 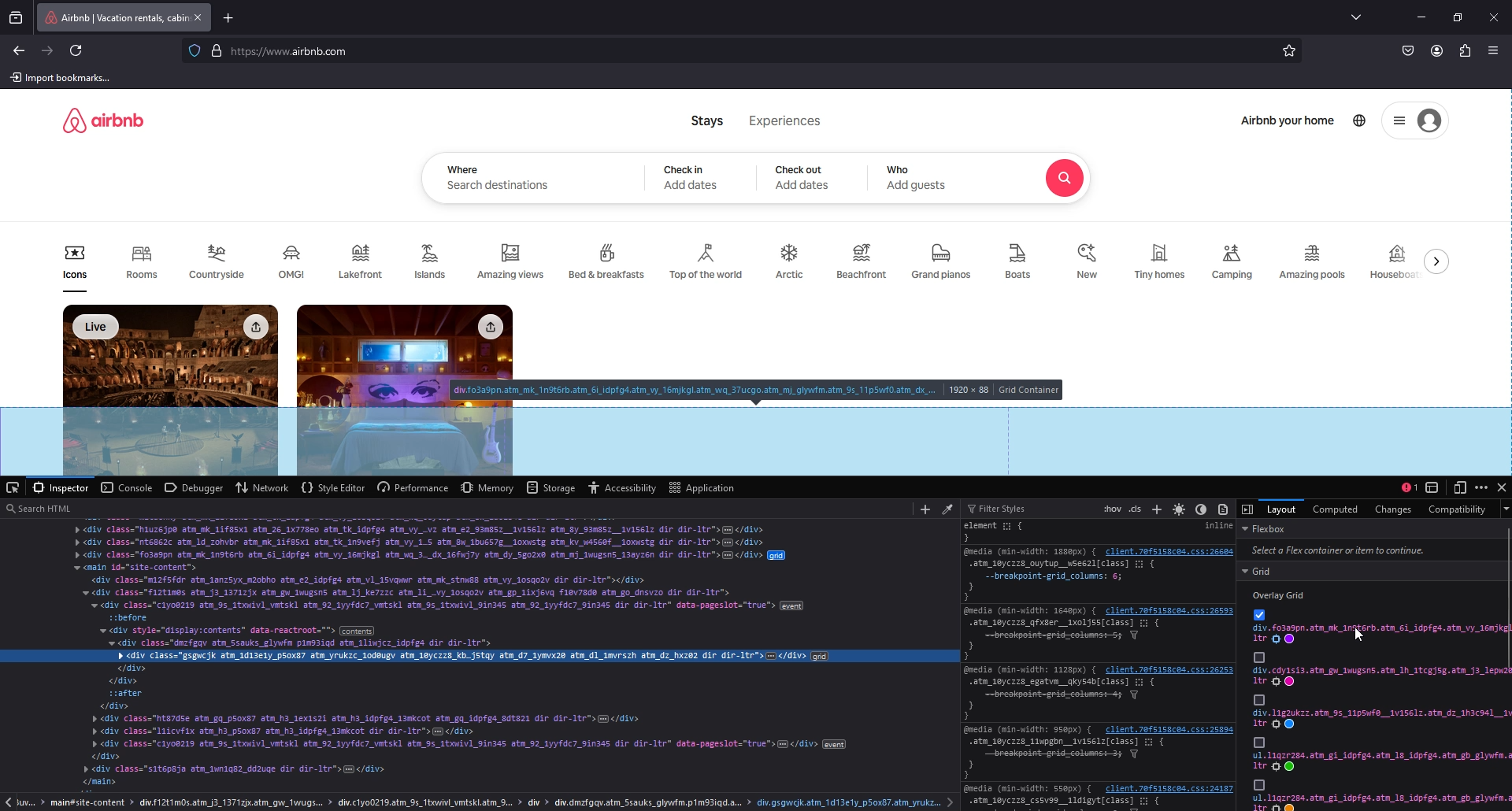 I want to click on Countryside , so click(x=220, y=261).